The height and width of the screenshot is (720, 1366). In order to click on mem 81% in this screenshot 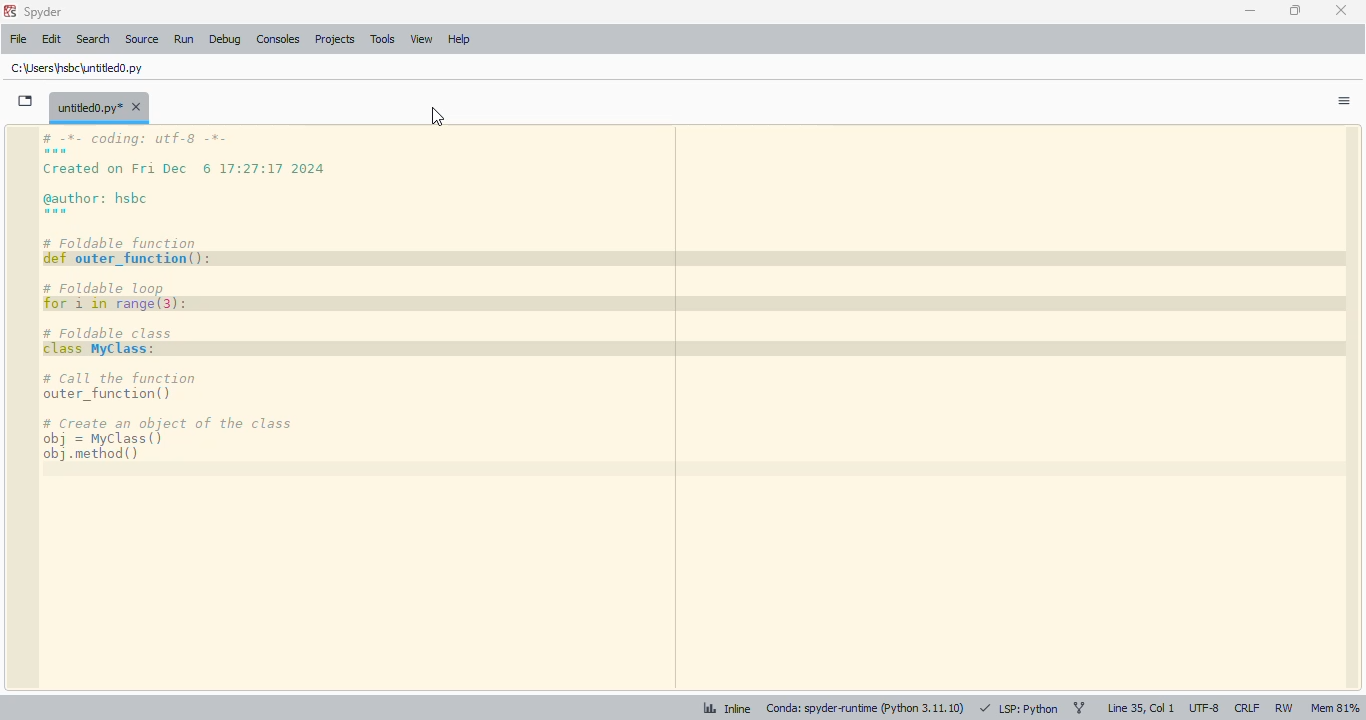, I will do `click(1335, 709)`.